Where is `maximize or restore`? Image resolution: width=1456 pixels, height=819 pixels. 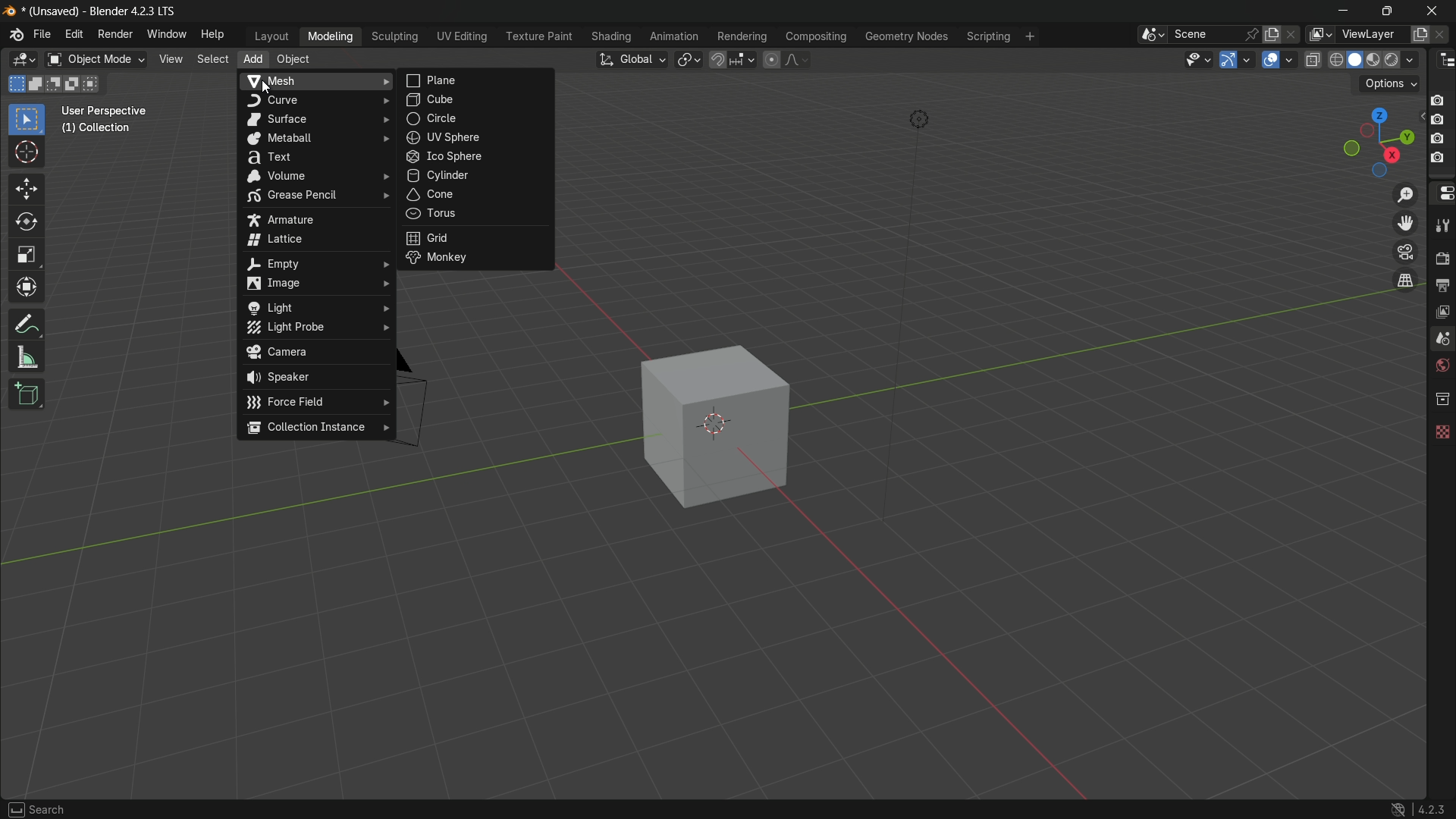 maximize or restore is located at coordinates (1389, 12).